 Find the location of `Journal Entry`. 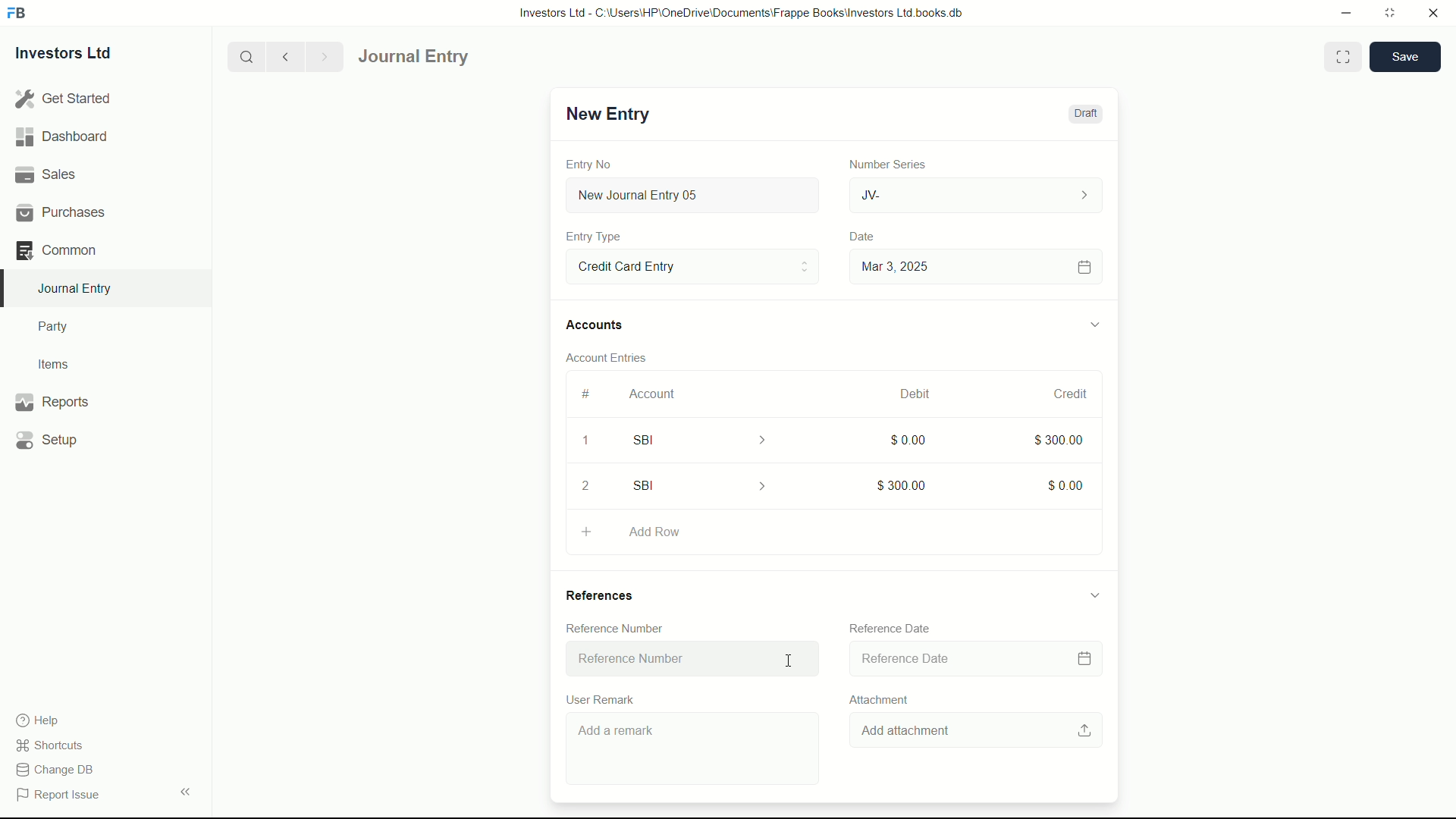

Journal Entry is located at coordinates (457, 57).